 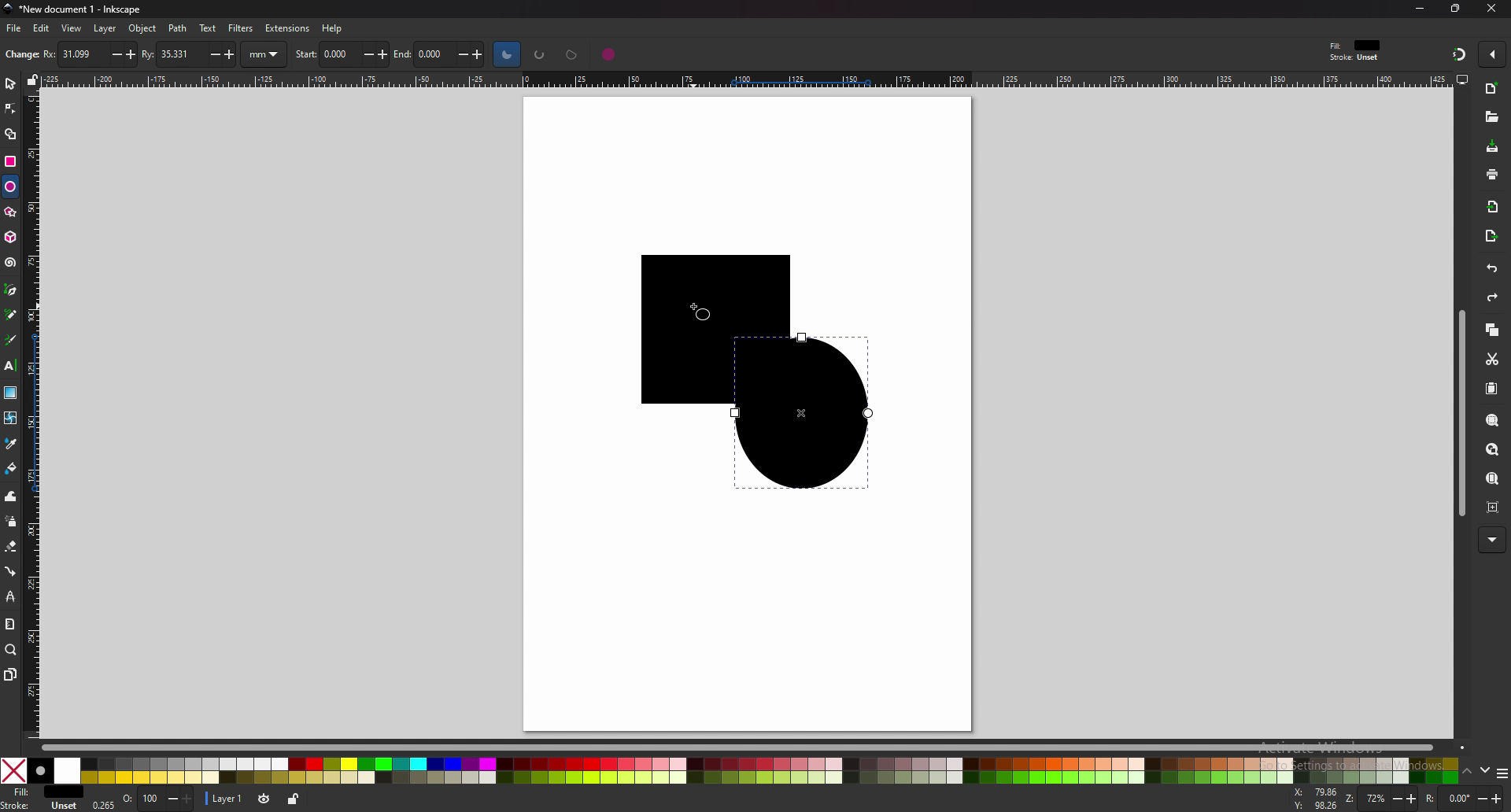 What do you see at coordinates (1459, 412) in the screenshot?
I see `scroll bar` at bounding box center [1459, 412].